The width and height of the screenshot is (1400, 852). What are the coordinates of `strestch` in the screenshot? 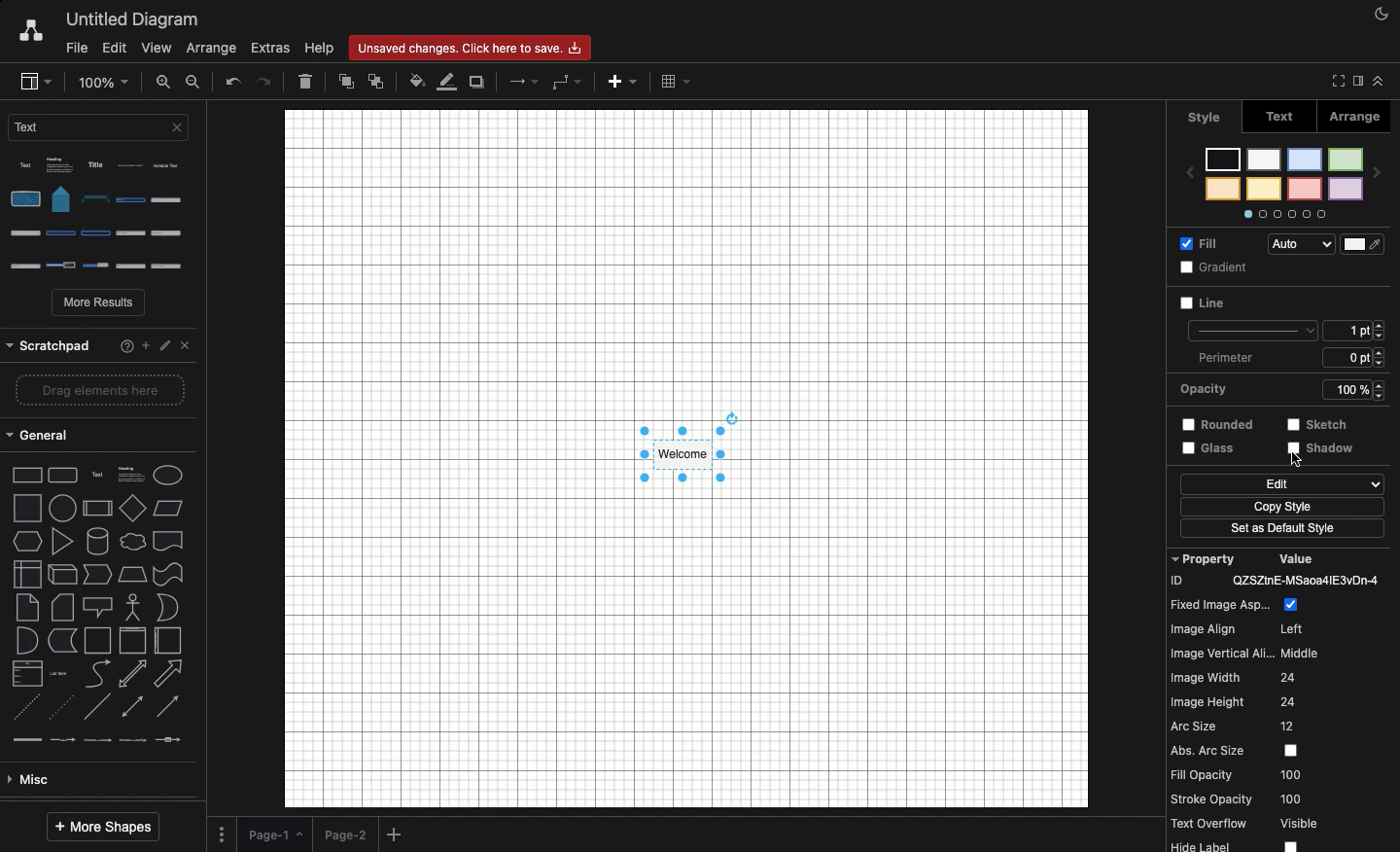 It's located at (1350, 388).